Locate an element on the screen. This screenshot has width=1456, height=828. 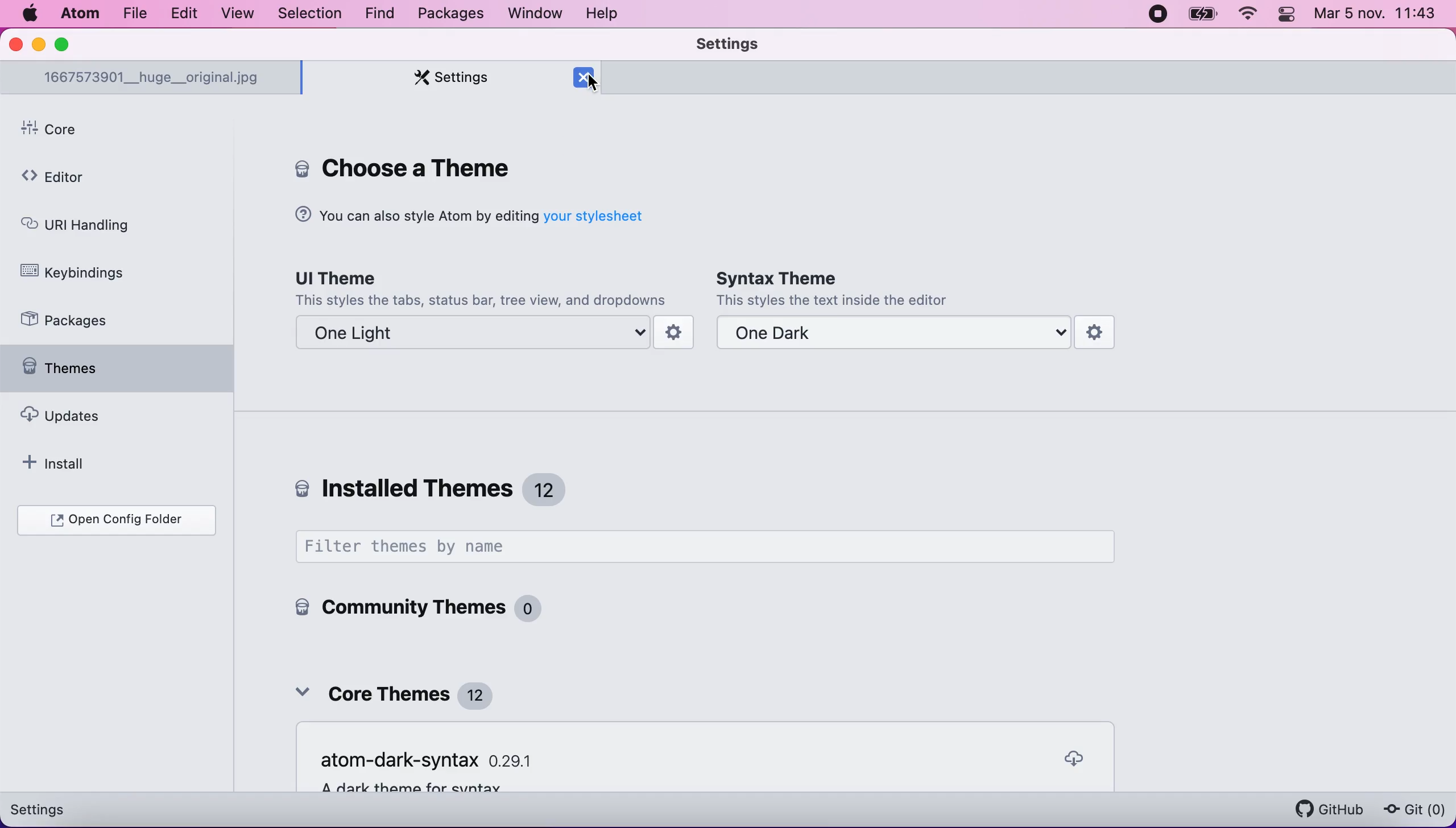
minimize is located at coordinates (38, 45).